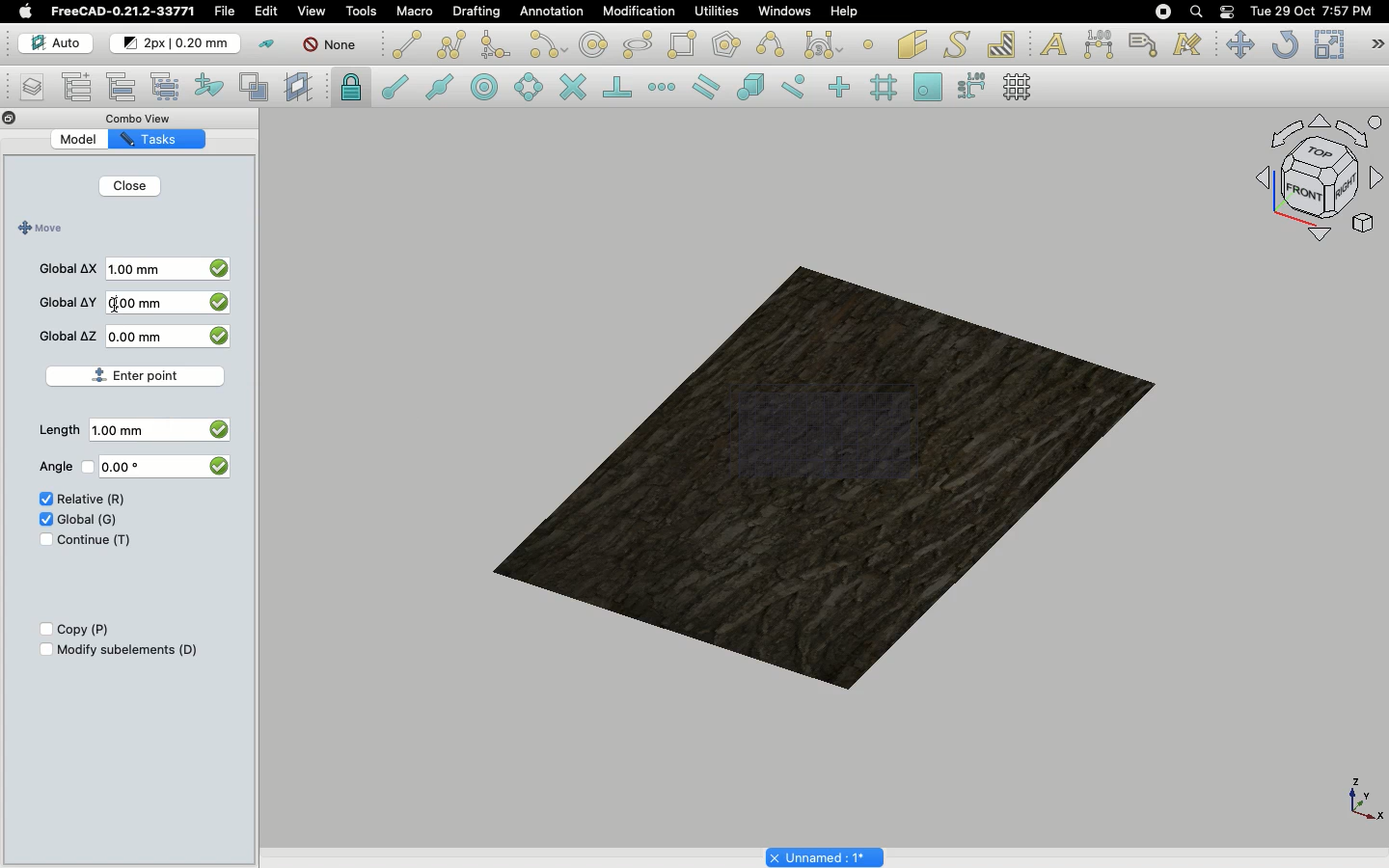 The width and height of the screenshot is (1389, 868). Describe the element at coordinates (1053, 45) in the screenshot. I see `Text` at that location.